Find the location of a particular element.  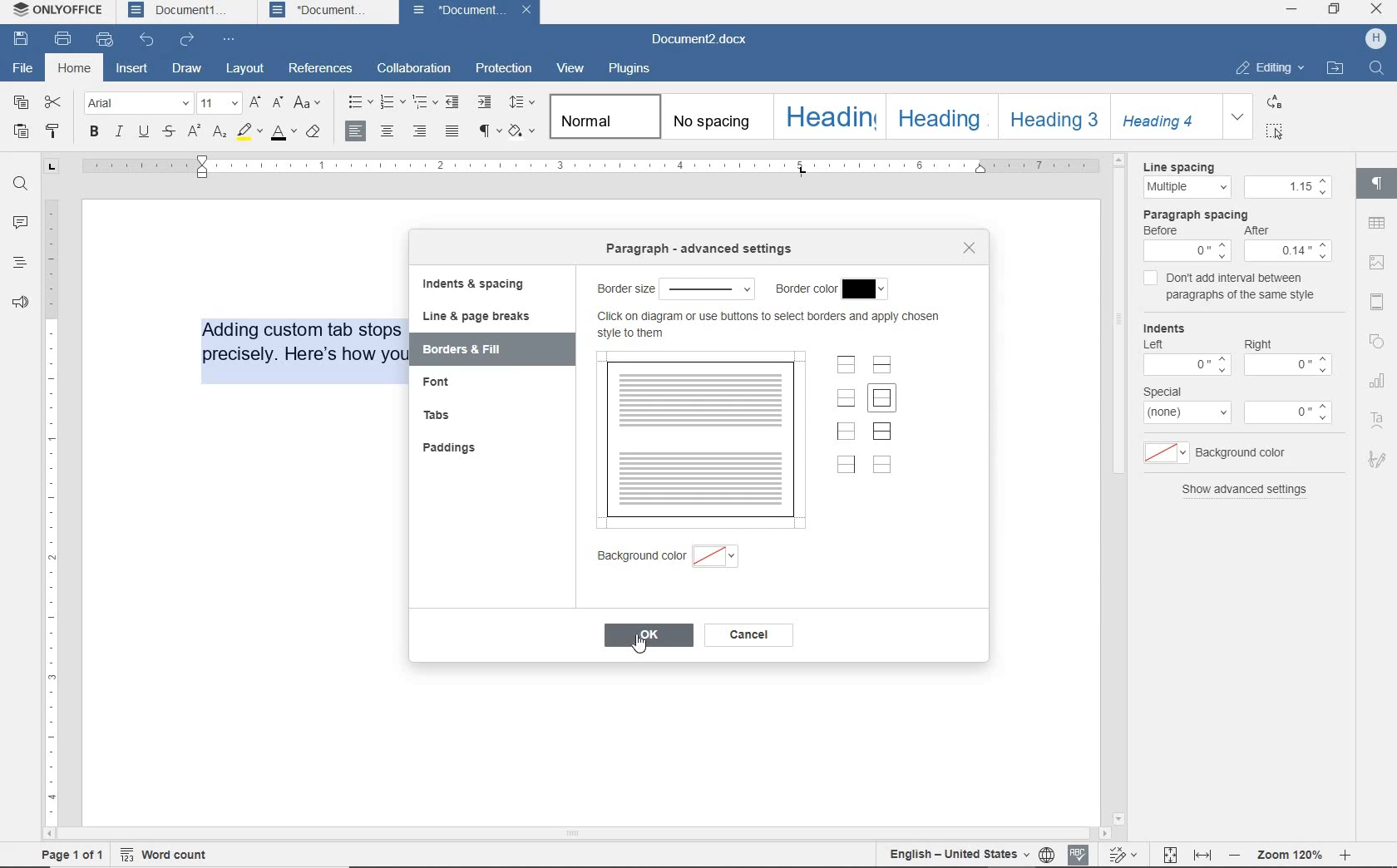

 is located at coordinates (1289, 251).